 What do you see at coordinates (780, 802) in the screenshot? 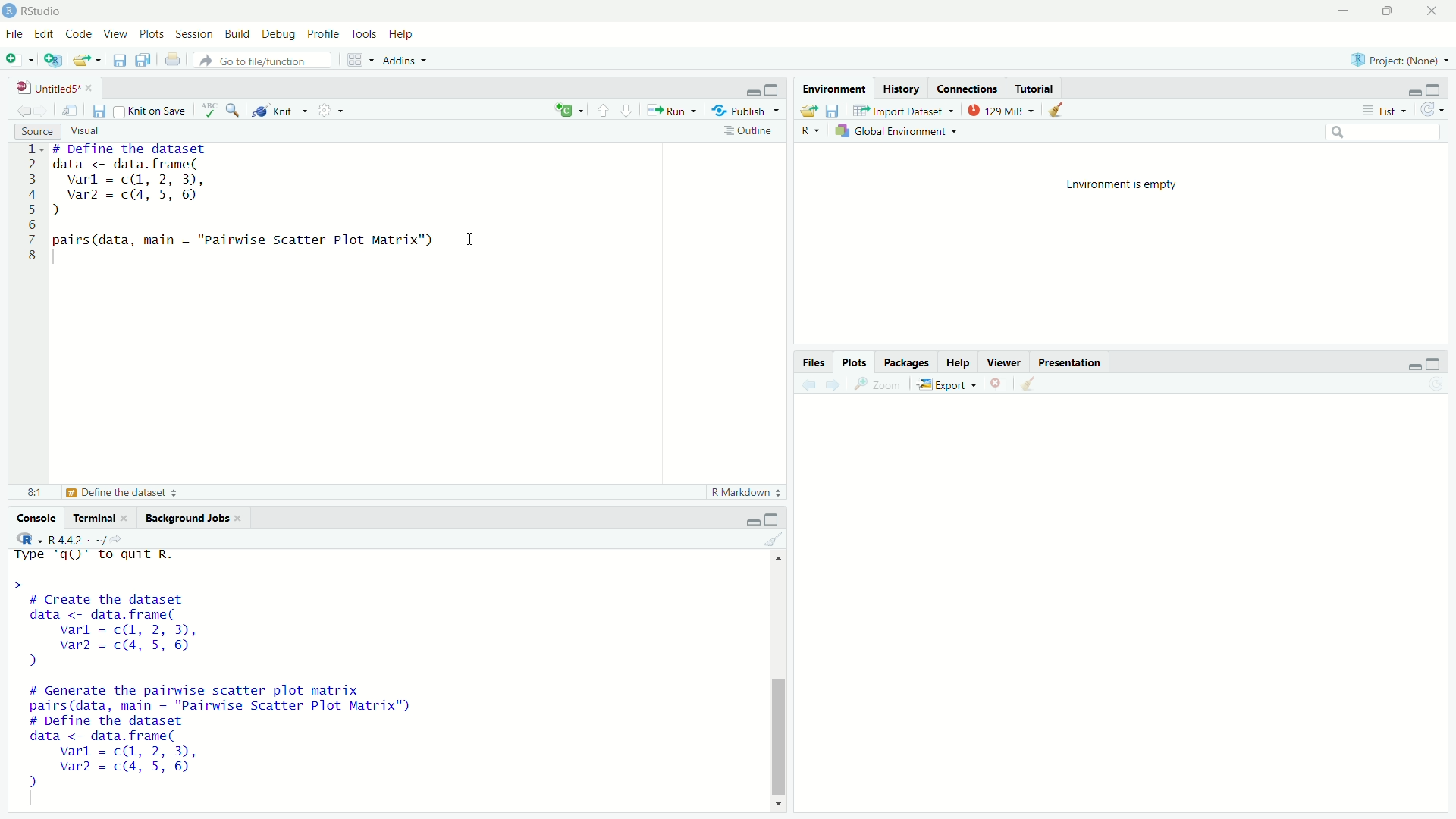
I see `Down` at bounding box center [780, 802].